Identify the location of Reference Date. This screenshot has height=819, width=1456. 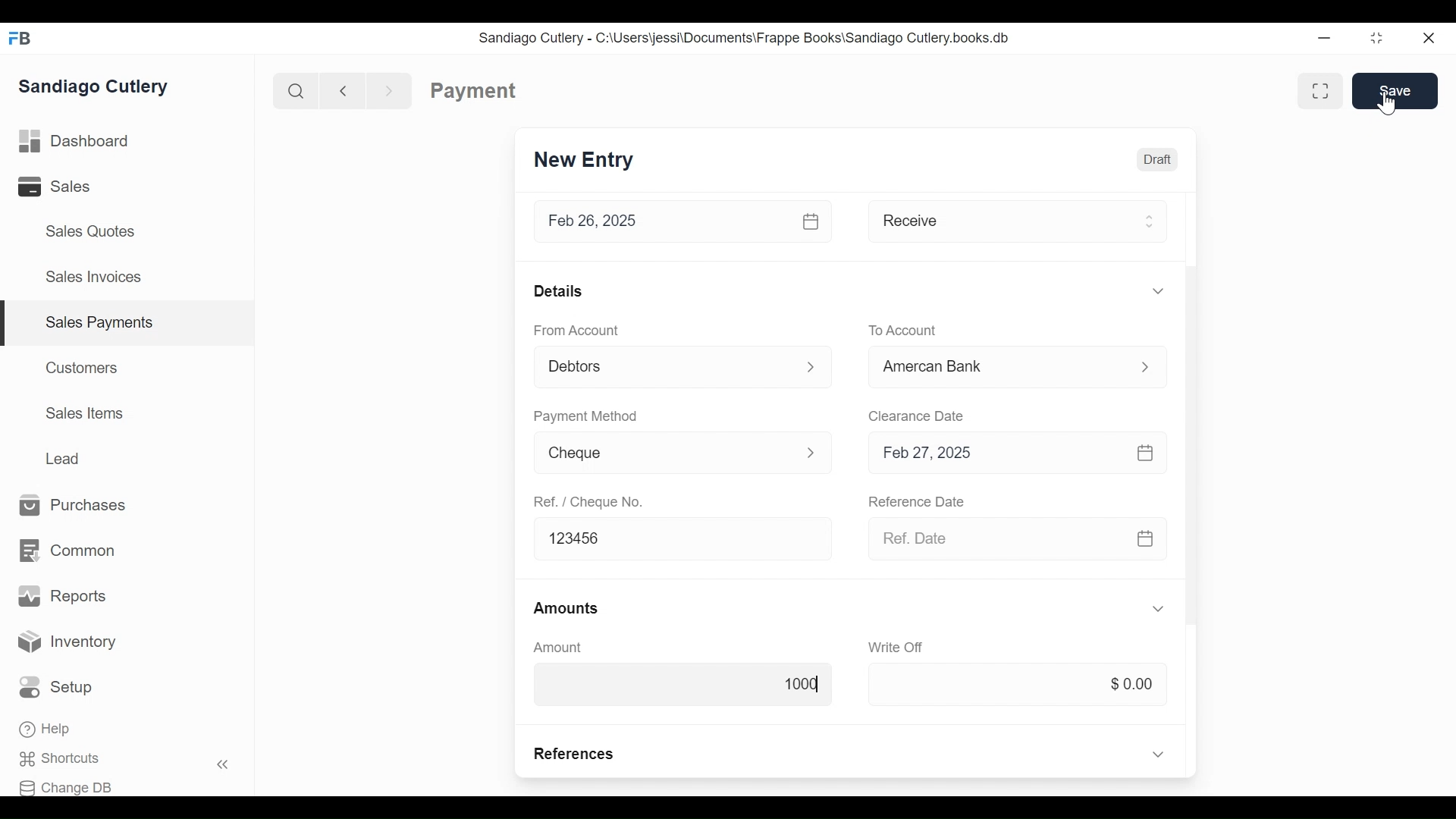
(918, 503).